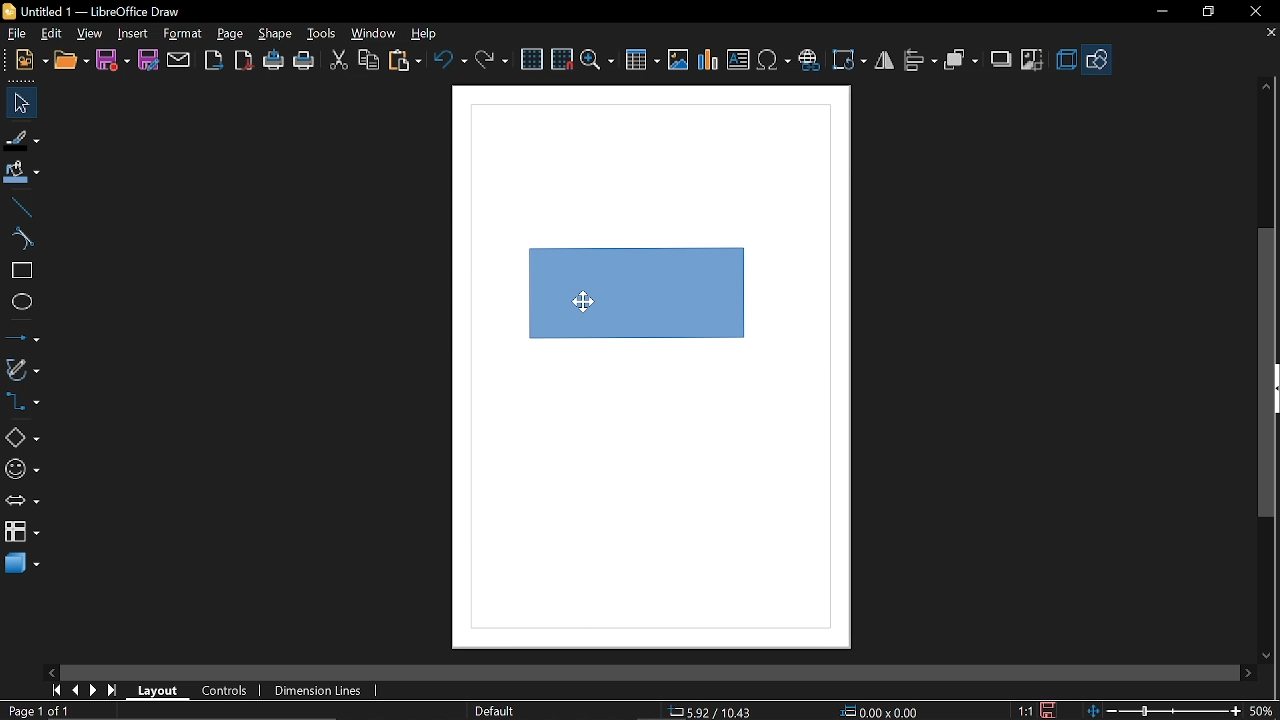  What do you see at coordinates (320, 35) in the screenshot?
I see `Tools` at bounding box center [320, 35].